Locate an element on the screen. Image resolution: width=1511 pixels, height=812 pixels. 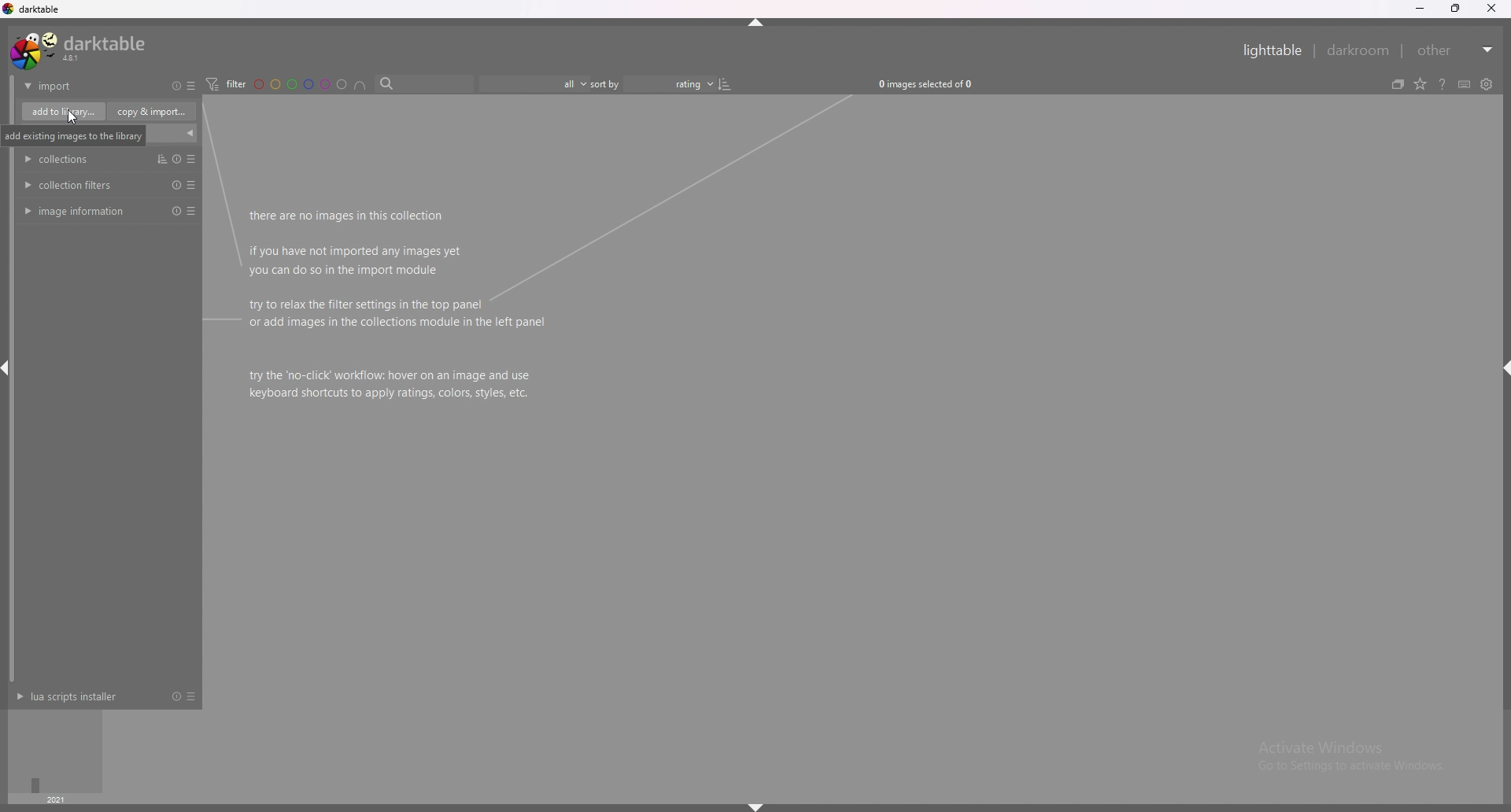
preset is located at coordinates (192, 159).